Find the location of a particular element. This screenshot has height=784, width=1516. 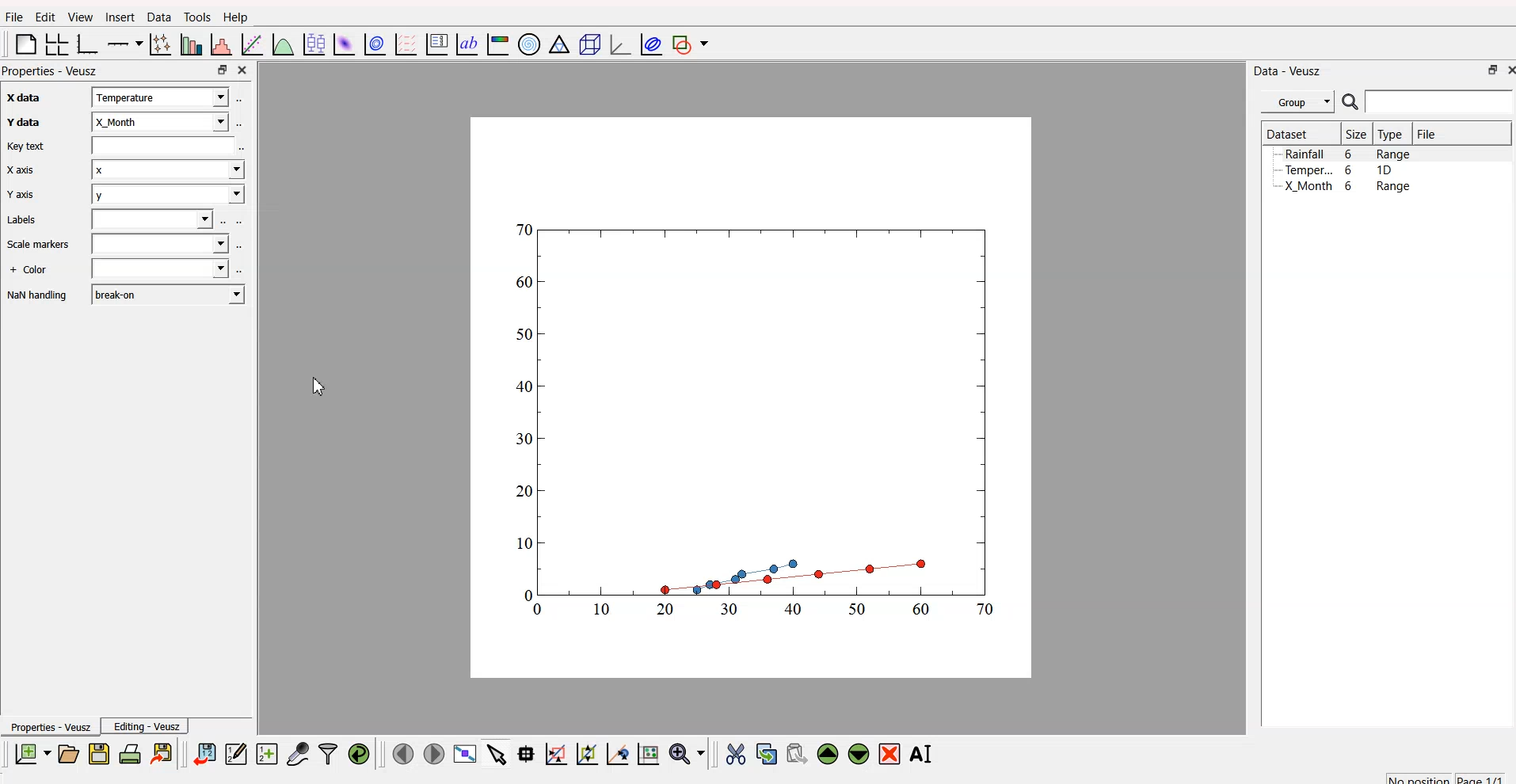

Ternary graph is located at coordinates (556, 45).